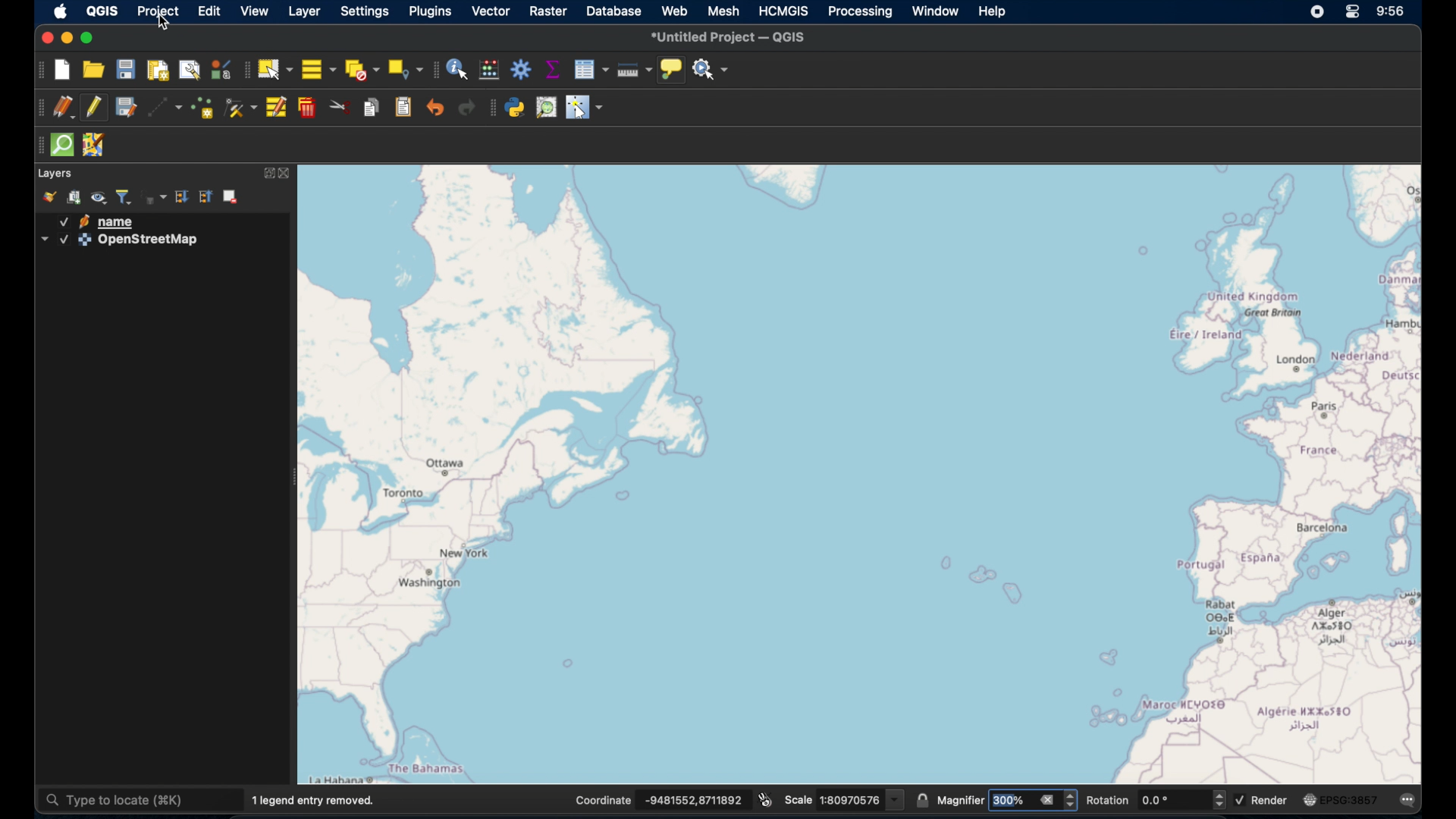 Image resolution: width=1456 pixels, height=819 pixels. Describe the element at coordinates (206, 196) in the screenshot. I see `collapse all` at that location.